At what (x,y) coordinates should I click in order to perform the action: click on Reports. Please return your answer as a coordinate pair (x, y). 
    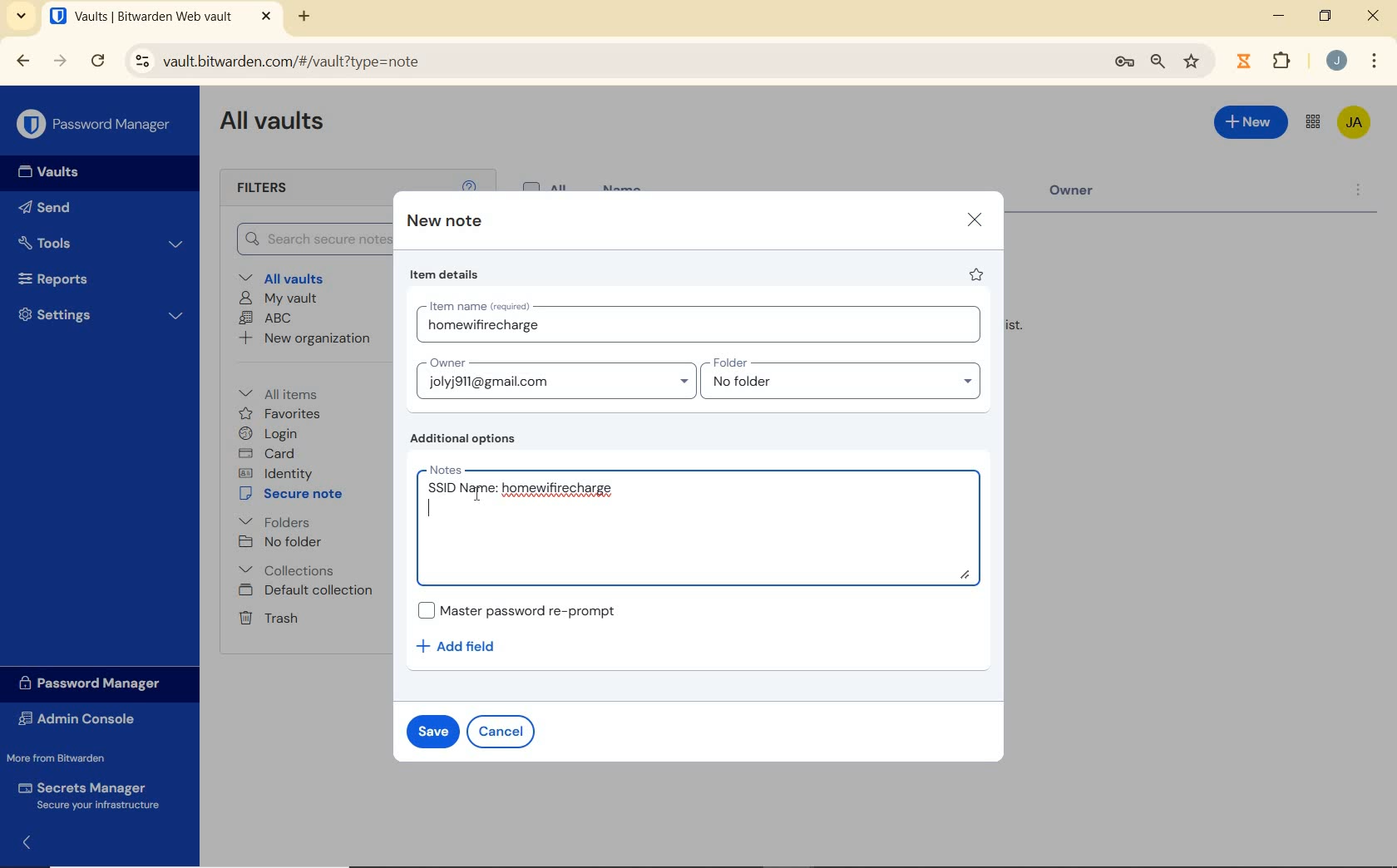
    Looking at the image, I should click on (95, 277).